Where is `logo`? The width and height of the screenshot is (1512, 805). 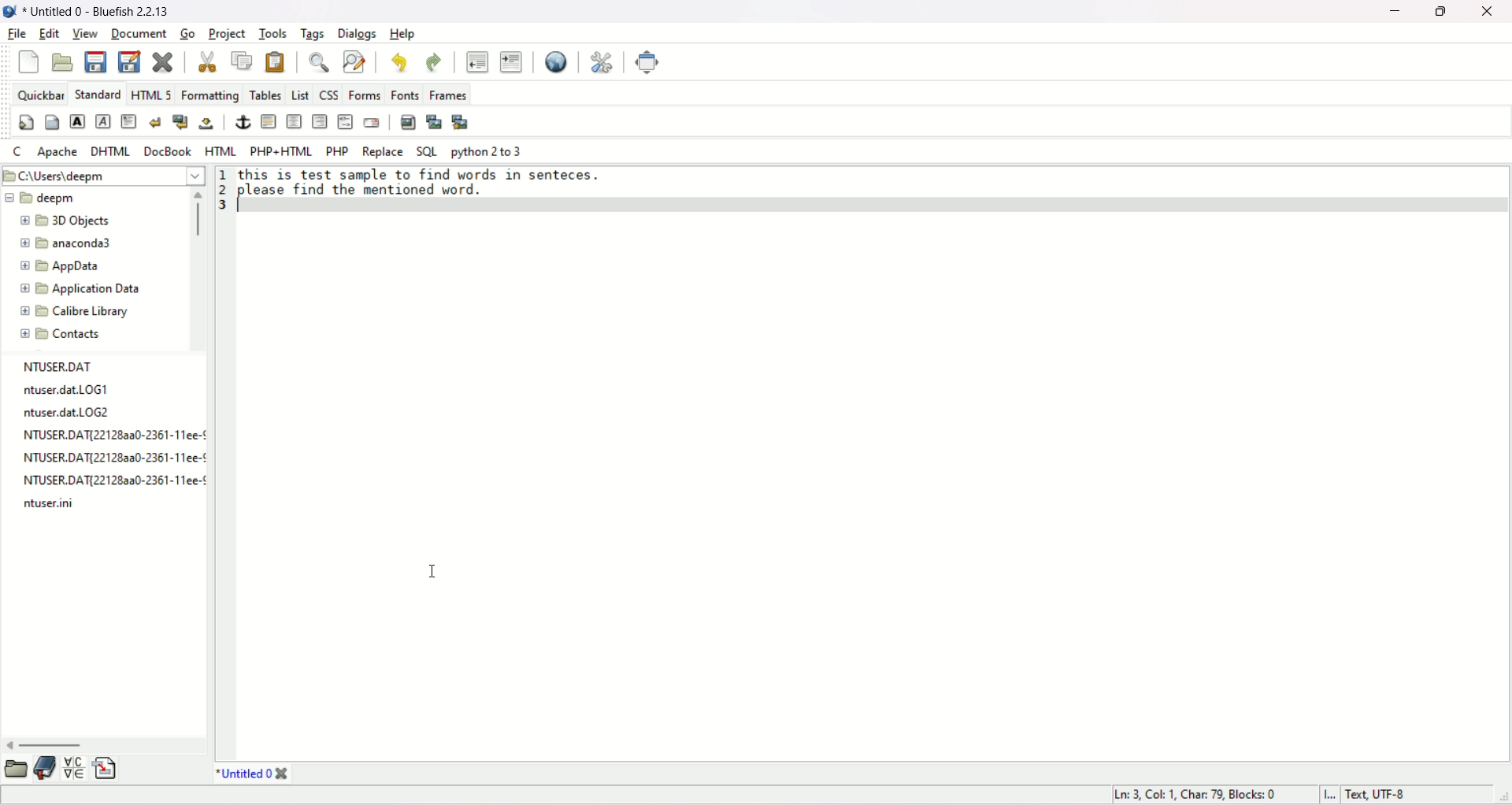
logo is located at coordinates (9, 12).